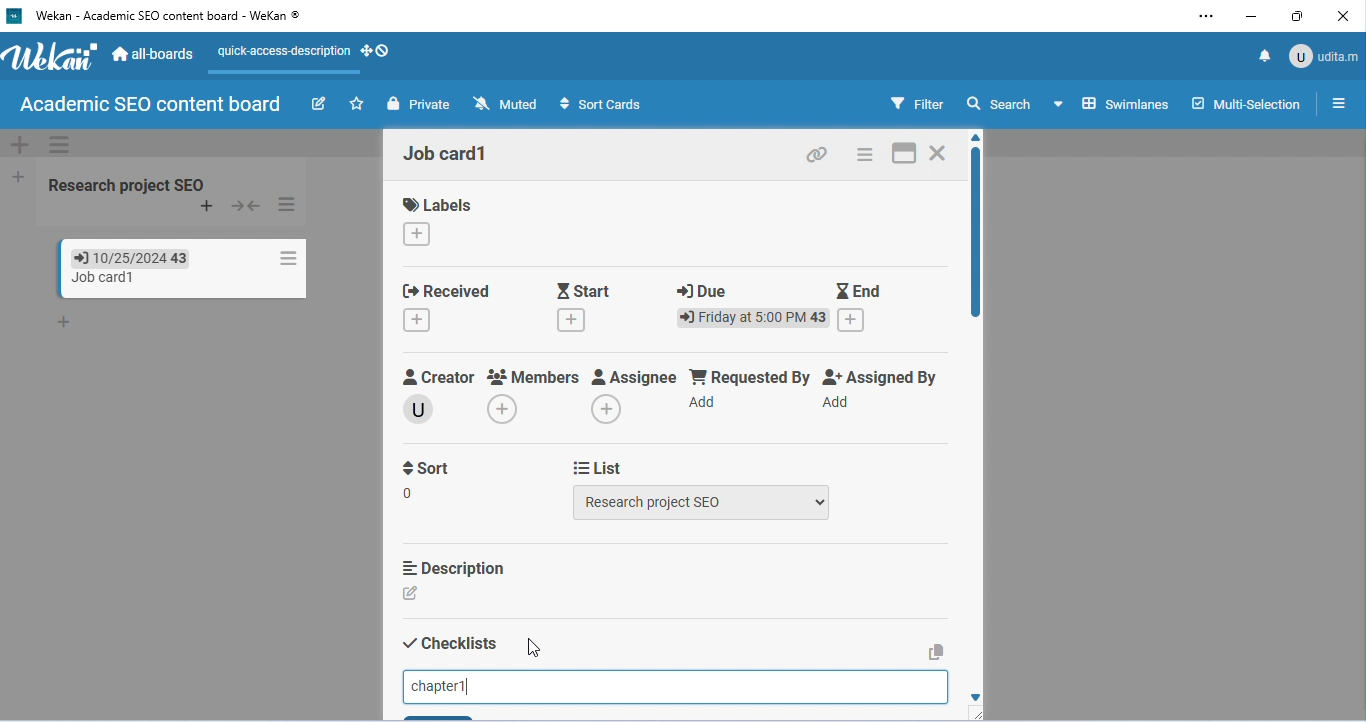  I want to click on assignee, so click(635, 378).